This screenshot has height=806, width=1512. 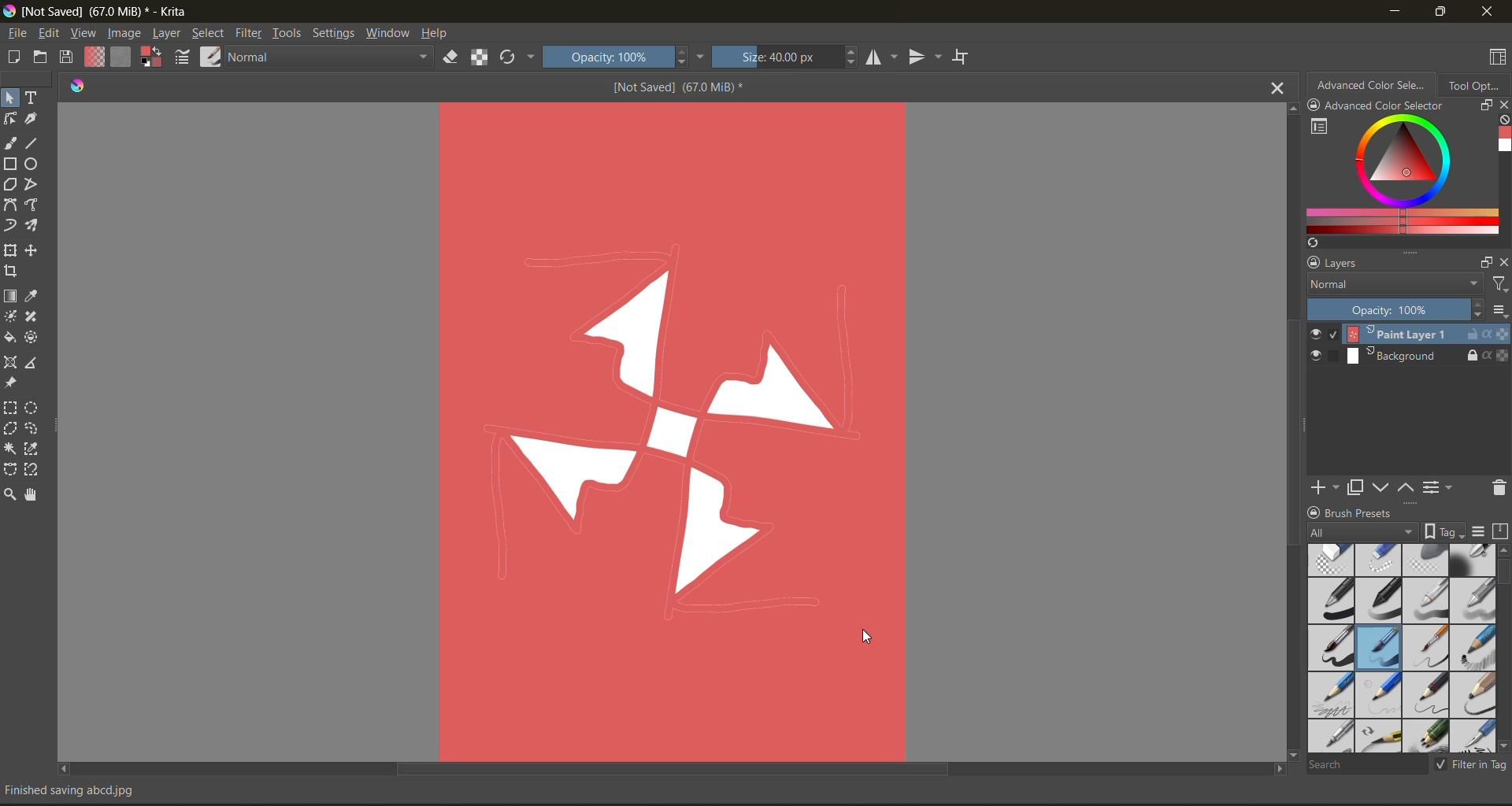 What do you see at coordinates (1503, 105) in the screenshot?
I see `close` at bounding box center [1503, 105].